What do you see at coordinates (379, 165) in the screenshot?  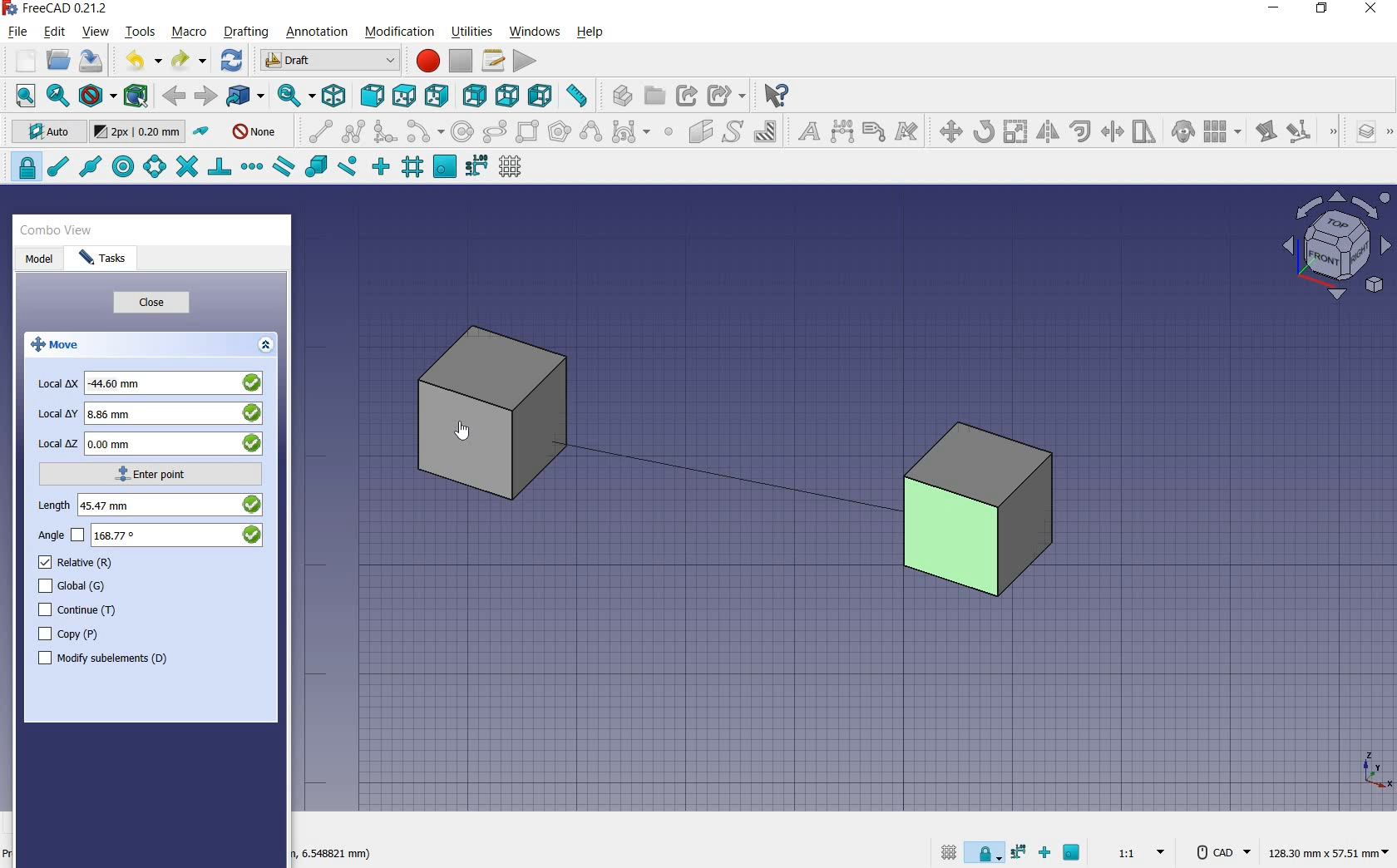 I see `snap ortho` at bounding box center [379, 165].